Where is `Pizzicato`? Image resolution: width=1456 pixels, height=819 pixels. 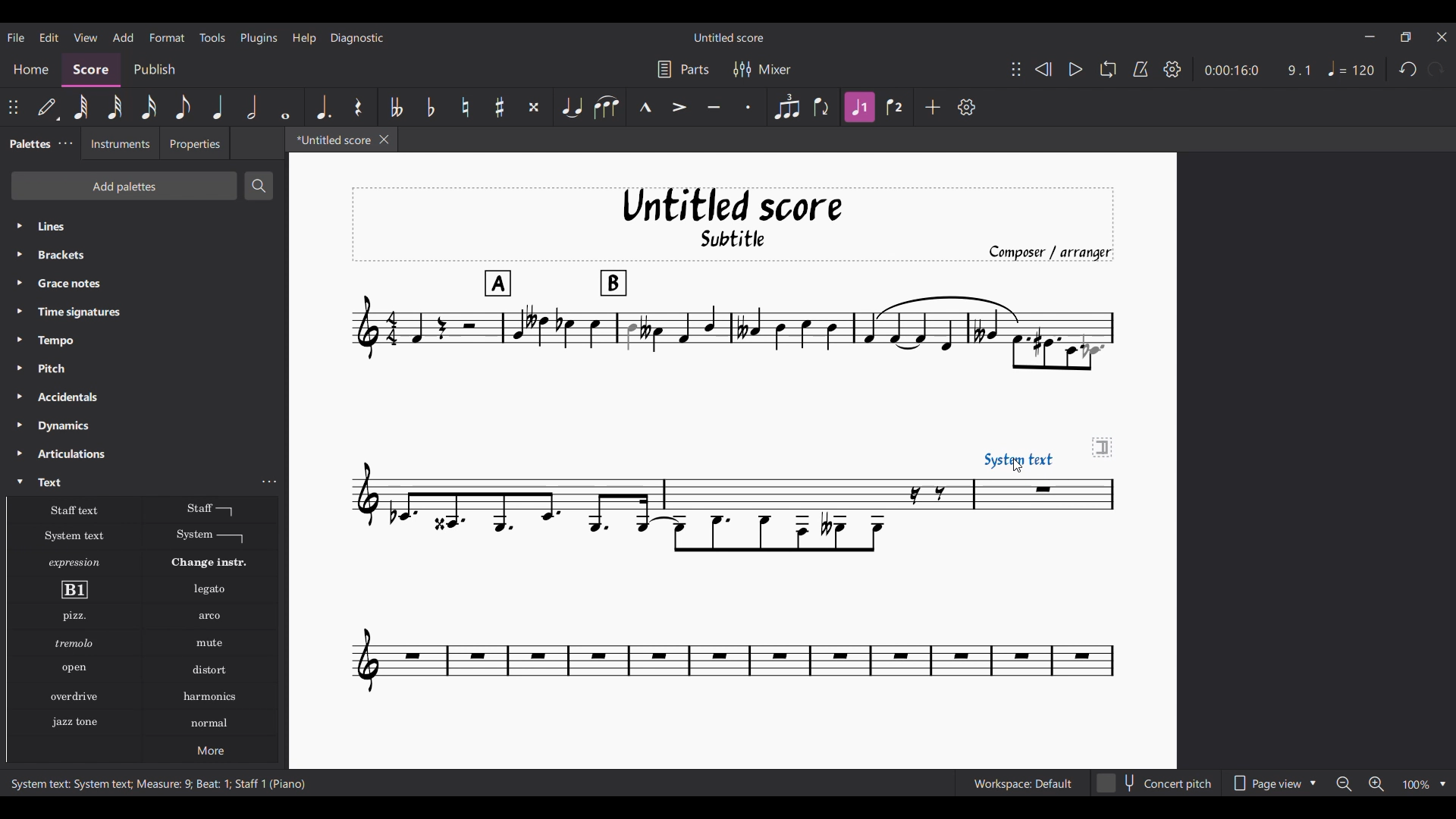
Pizzicato is located at coordinates (74, 616).